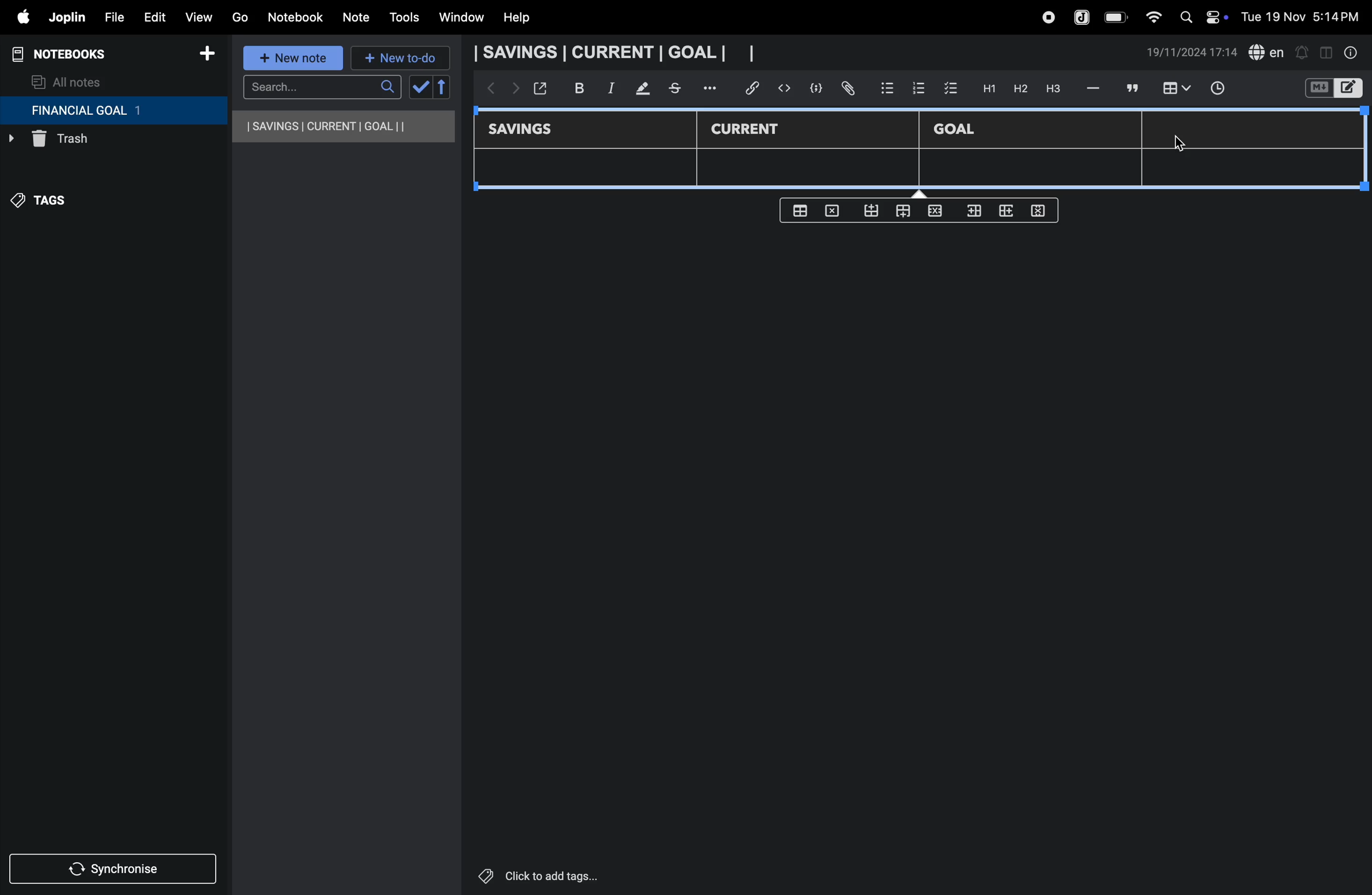  I want to click on tags, so click(47, 206).